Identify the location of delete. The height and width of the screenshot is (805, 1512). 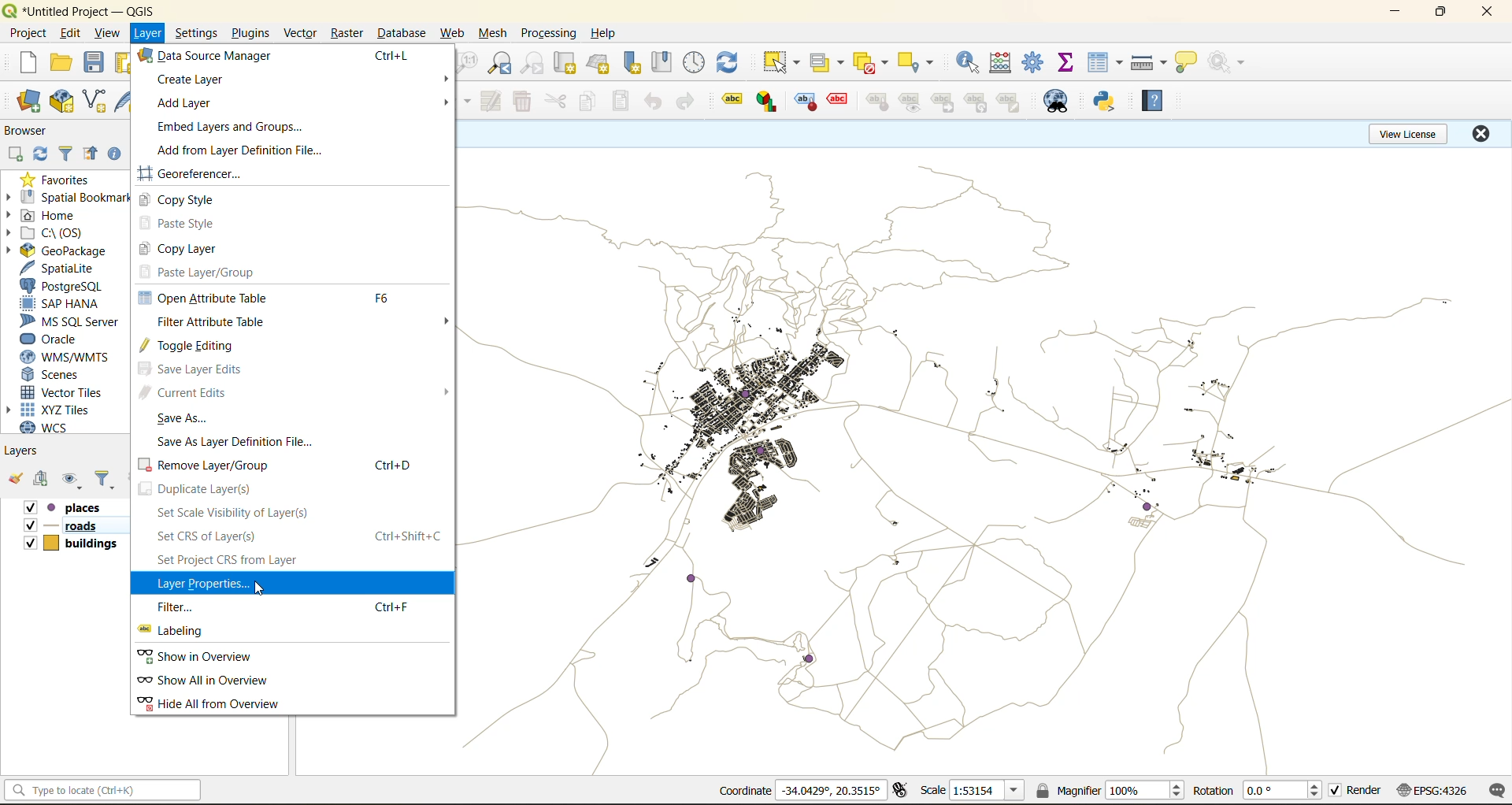
(525, 101).